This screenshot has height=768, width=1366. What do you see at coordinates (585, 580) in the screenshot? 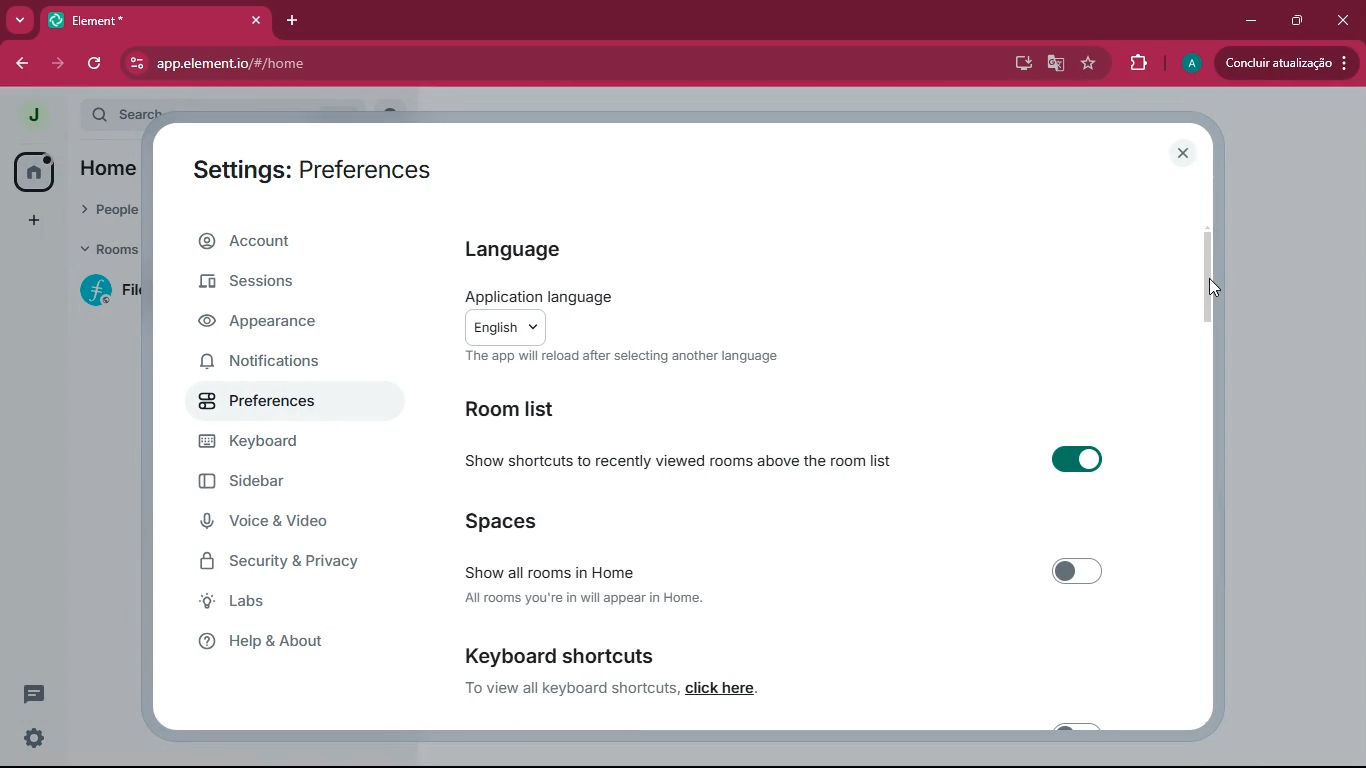
I see `show all rooms in home. all rooms you're in will appear in home.` at bounding box center [585, 580].